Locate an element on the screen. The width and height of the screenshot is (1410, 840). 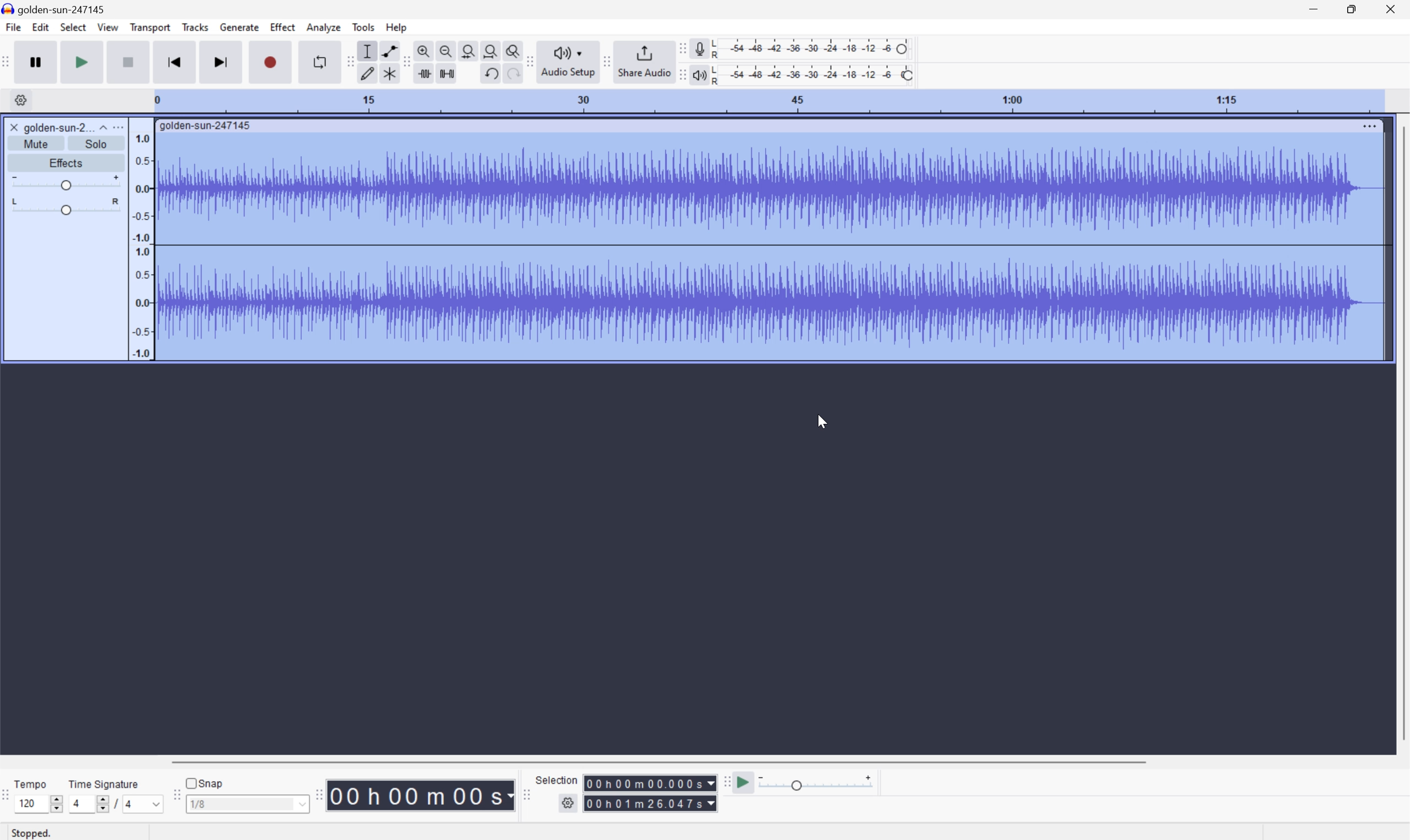
Minimize is located at coordinates (1313, 8).